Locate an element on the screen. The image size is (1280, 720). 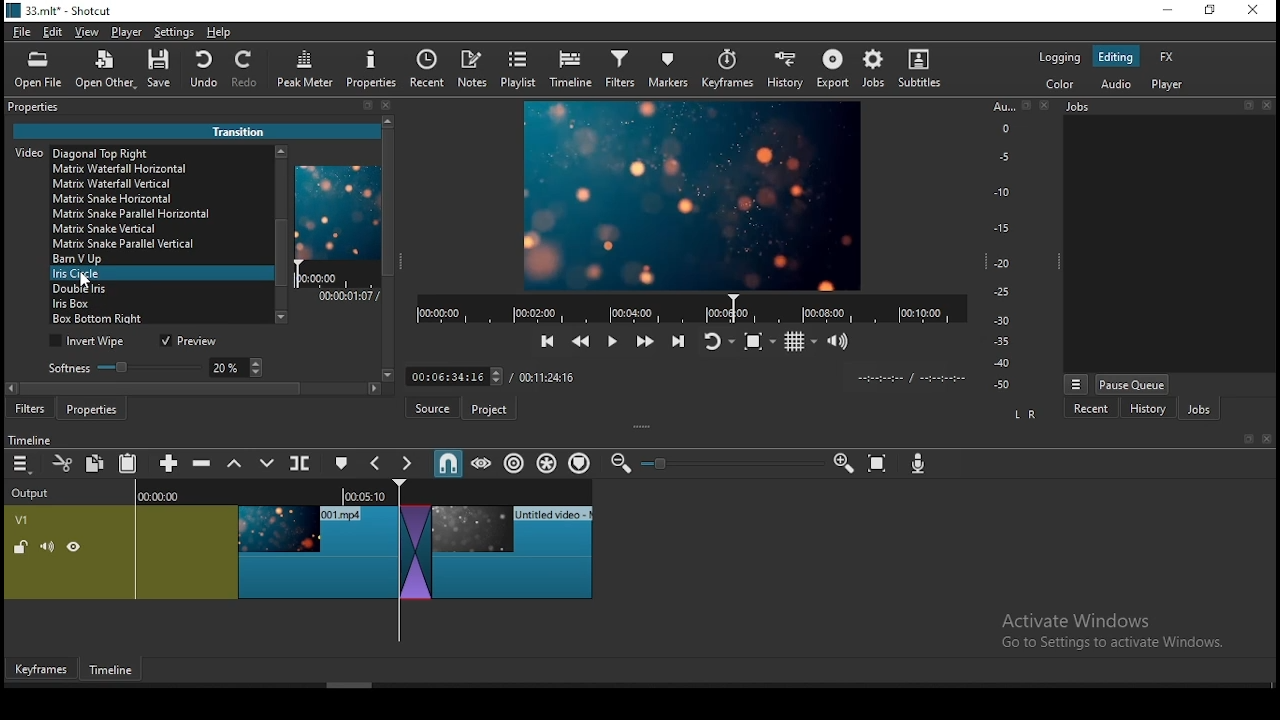
split at playhead is located at coordinates (302, 465).